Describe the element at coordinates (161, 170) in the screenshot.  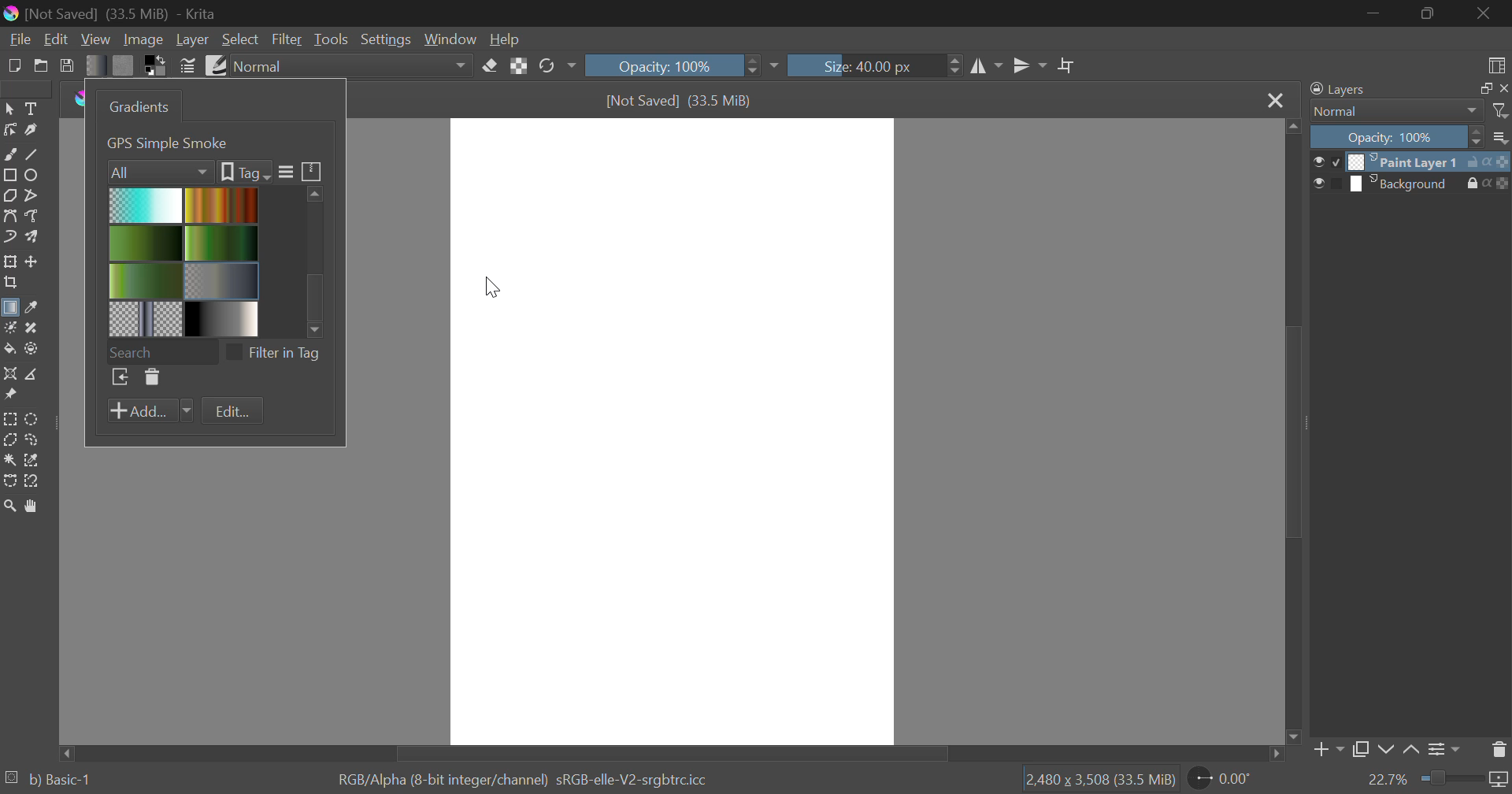
I see `All` at that location.